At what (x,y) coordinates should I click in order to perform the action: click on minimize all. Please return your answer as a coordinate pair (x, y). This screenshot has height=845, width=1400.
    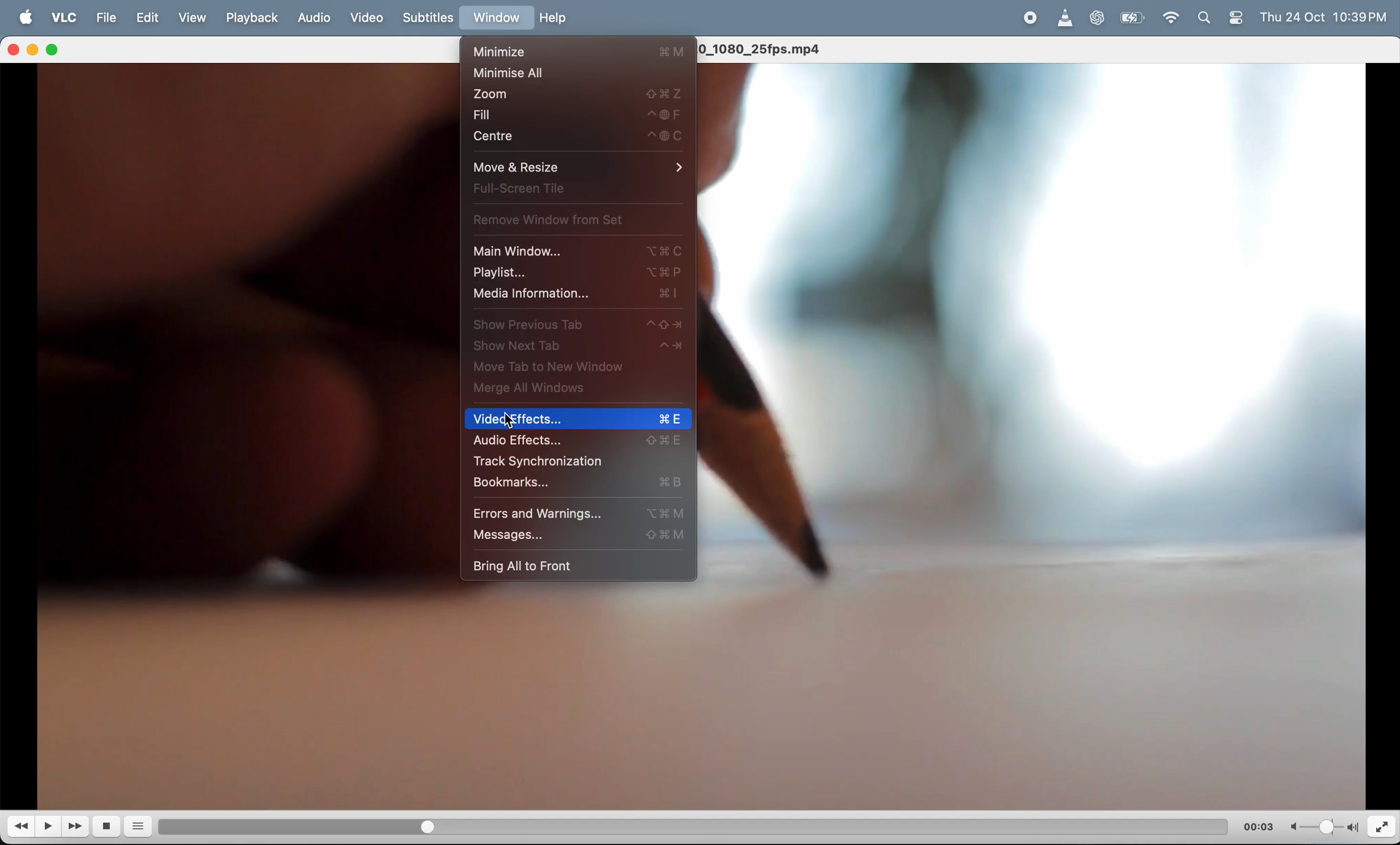
    Looking at the image, I should click on (577, 73).